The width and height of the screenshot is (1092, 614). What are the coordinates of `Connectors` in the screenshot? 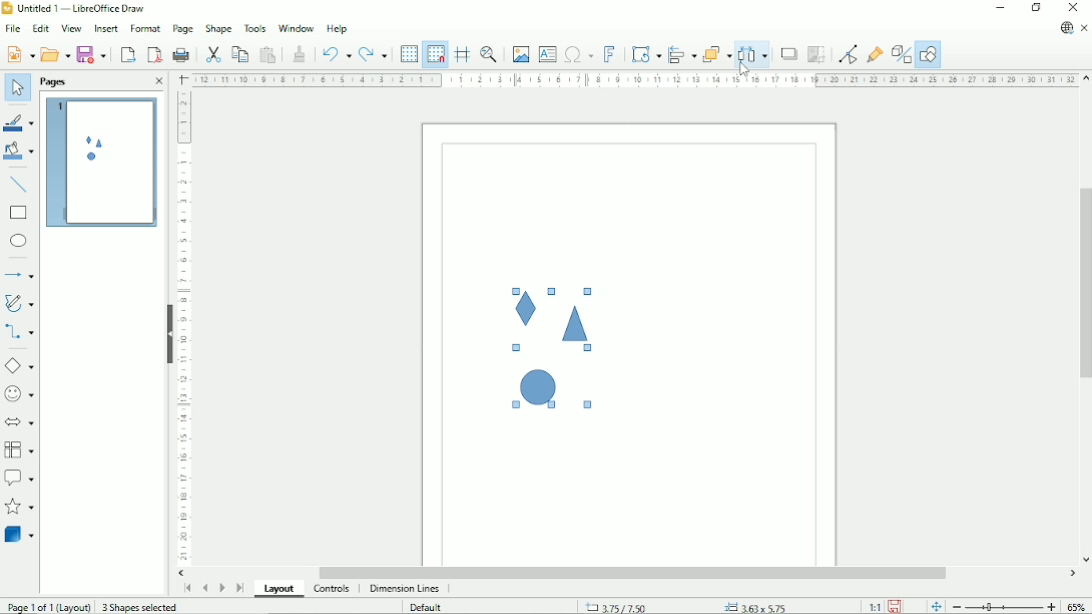 It's located at (19, 333).